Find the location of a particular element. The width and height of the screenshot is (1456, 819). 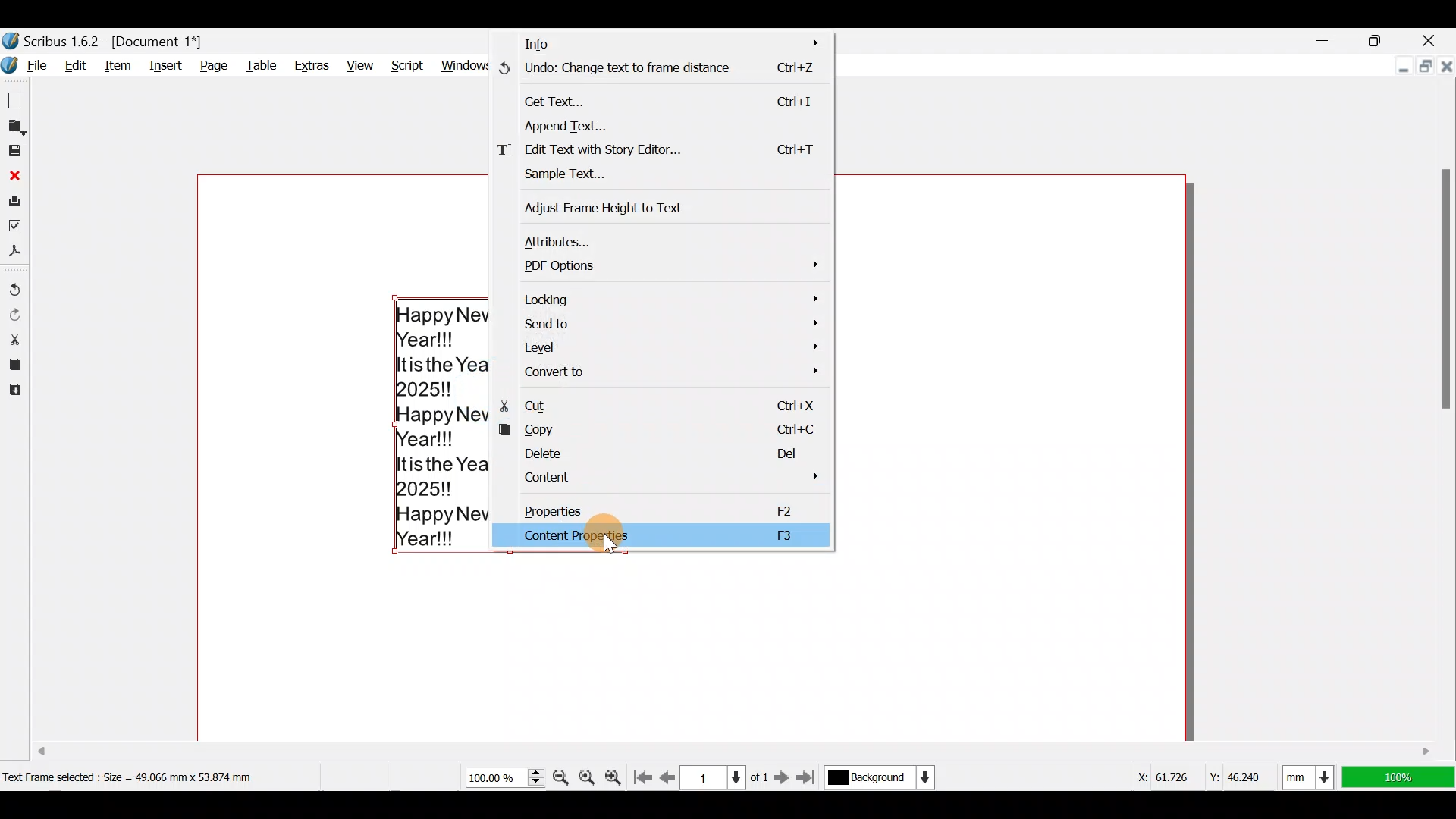

Append text is located at coordinates (661, 125).